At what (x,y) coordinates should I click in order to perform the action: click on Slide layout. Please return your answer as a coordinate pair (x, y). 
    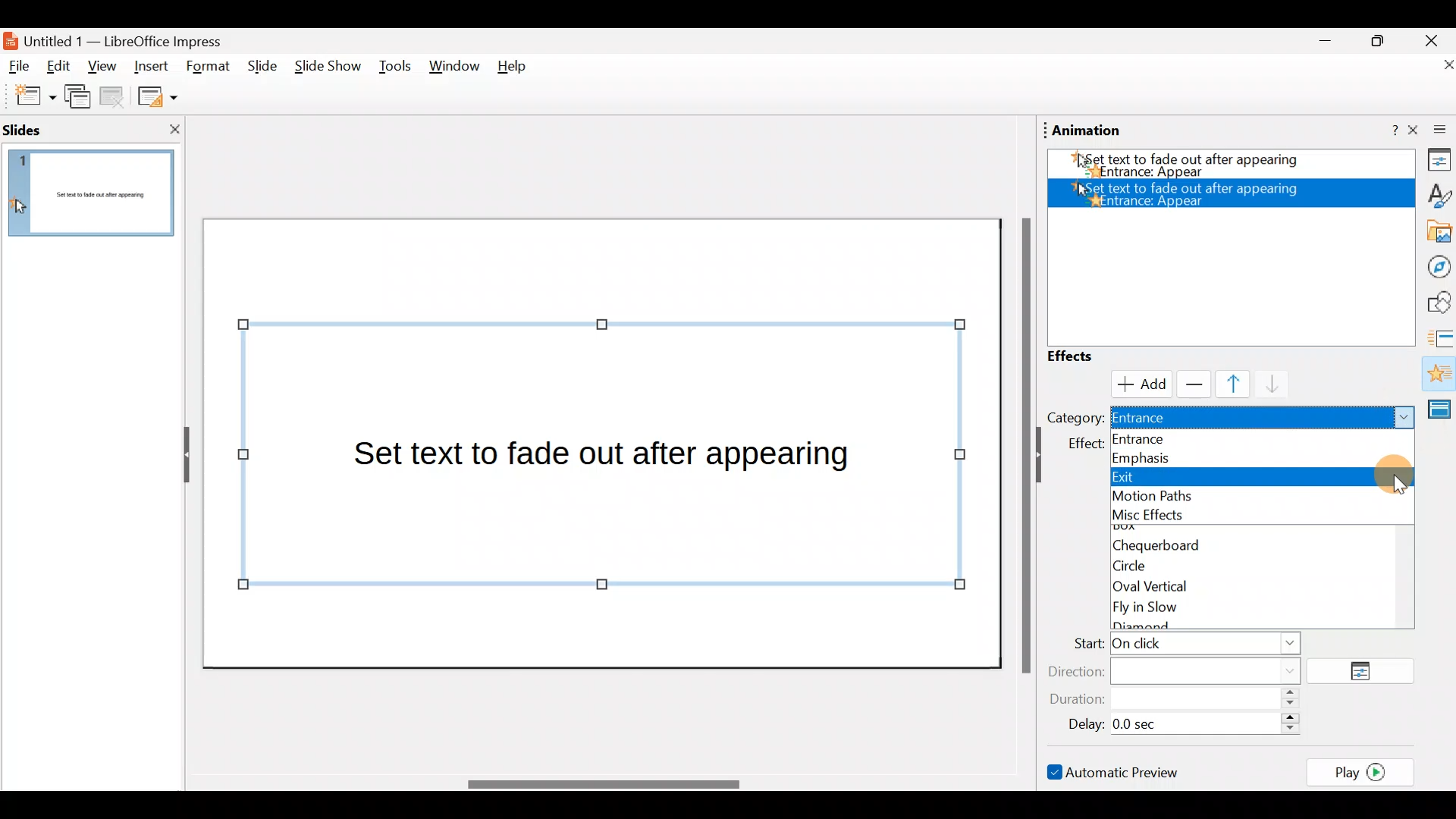
    Looking at the image, I should click on (156, 96).